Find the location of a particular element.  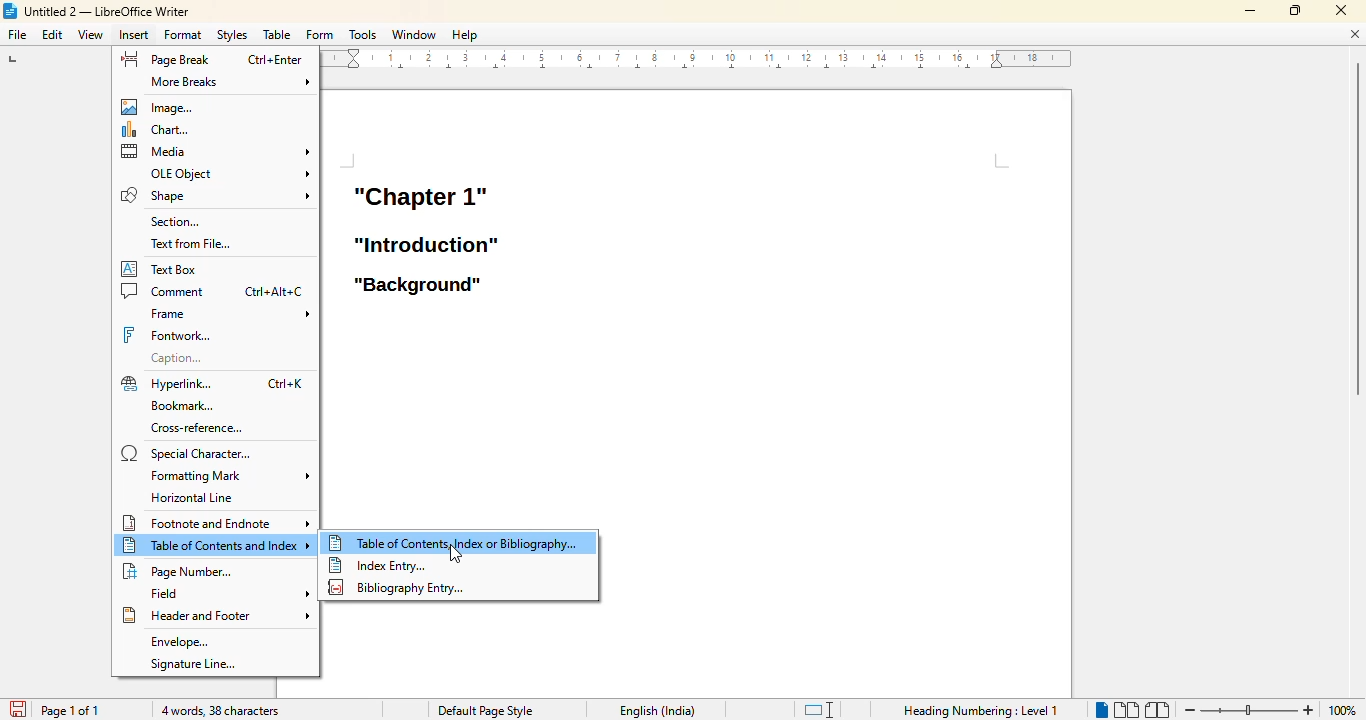

shortcut for comment is located at coordinates (275, 292).